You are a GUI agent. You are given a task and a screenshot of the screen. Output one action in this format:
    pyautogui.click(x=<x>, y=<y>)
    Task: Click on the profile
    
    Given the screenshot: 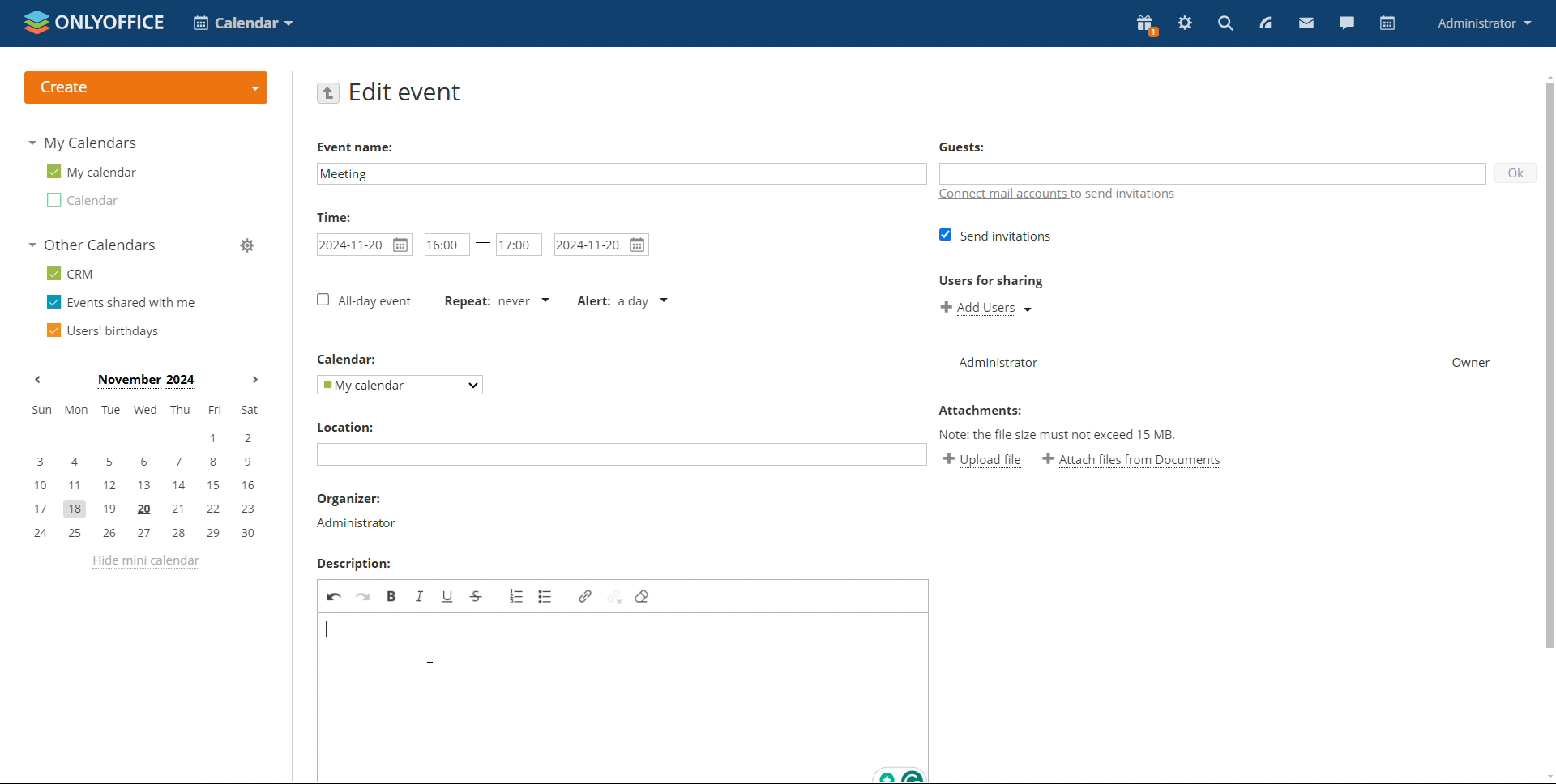 What is the action you would take?
    pyautogui.click(x=1483, y=23)
    